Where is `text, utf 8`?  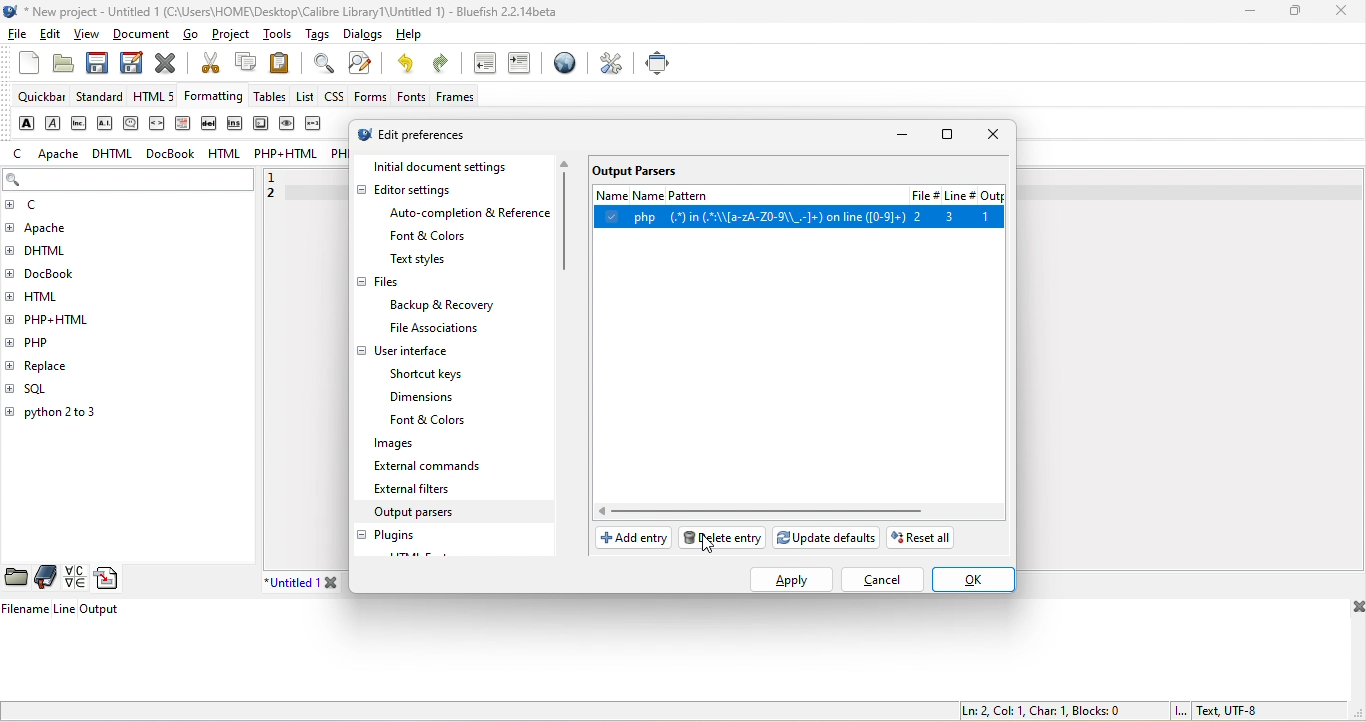
text, utf 8 is located at coordinates (1215, 711).